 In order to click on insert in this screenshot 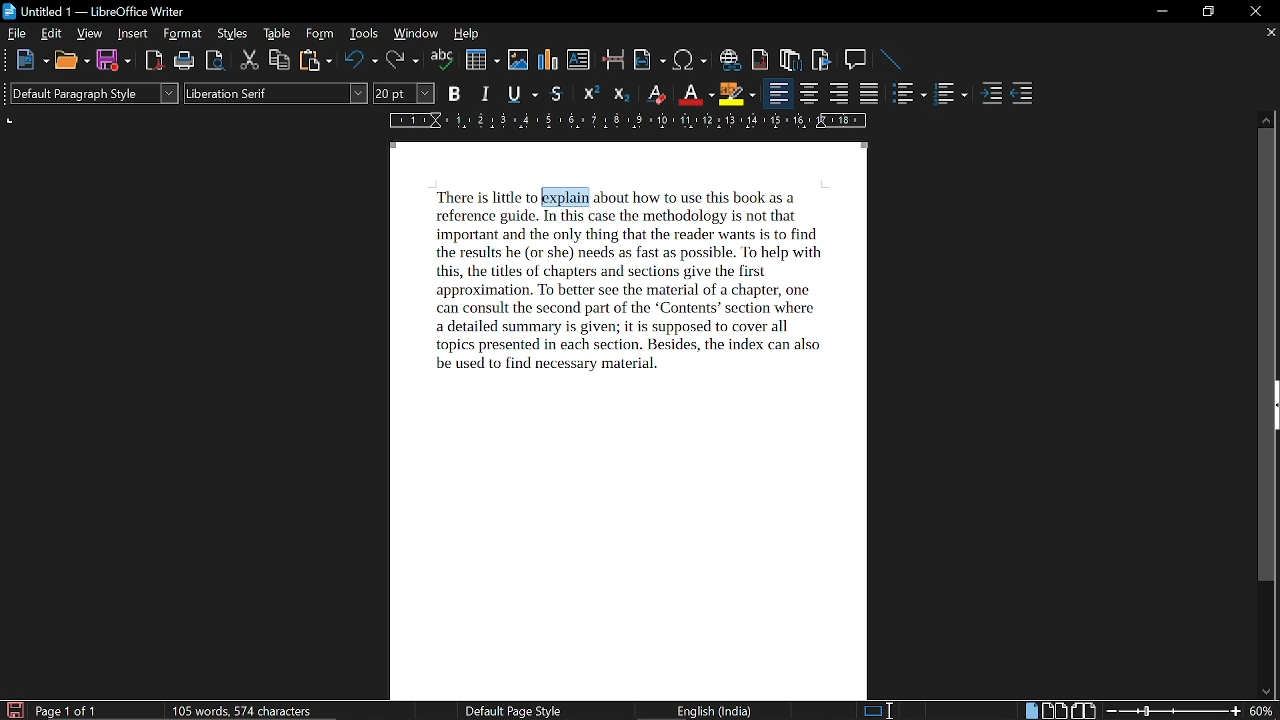, I will do `click(134, 35)`.